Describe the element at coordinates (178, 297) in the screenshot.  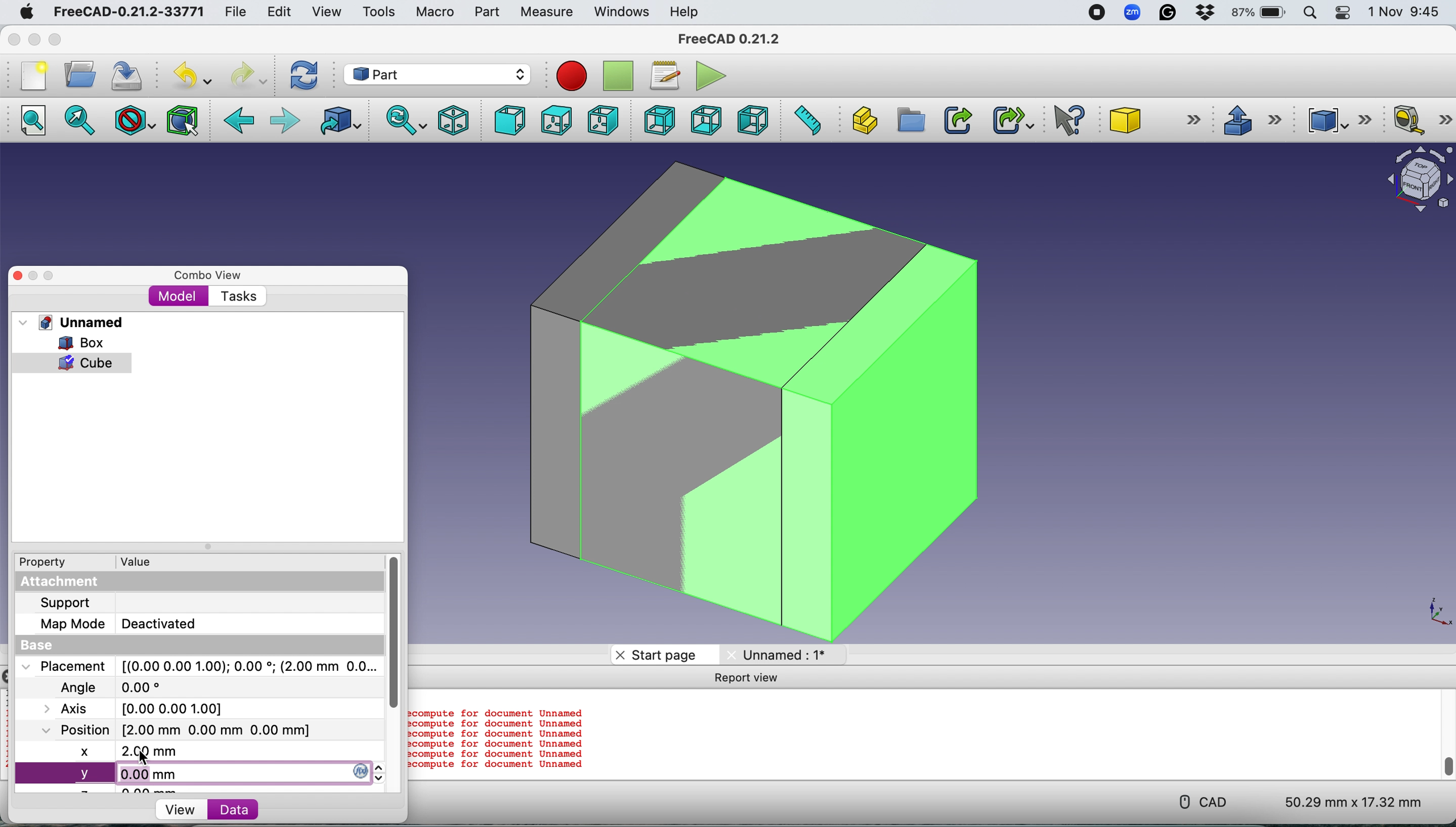
I see `Model` at that location.